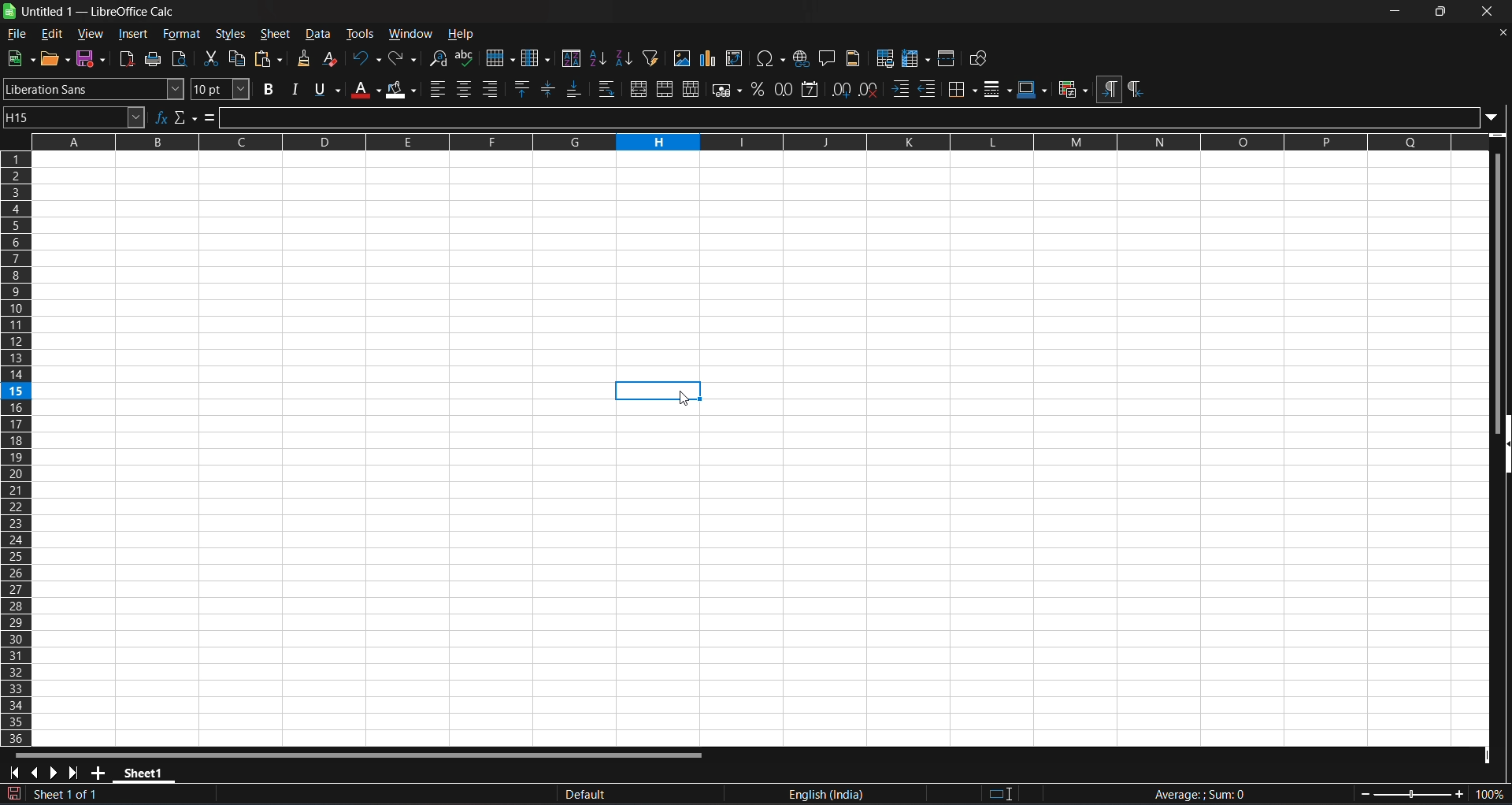 This screenshot has height=805, width=1512. Describe the element at coordinates (521, 87) in the screenshot. I see `align top` at that location.